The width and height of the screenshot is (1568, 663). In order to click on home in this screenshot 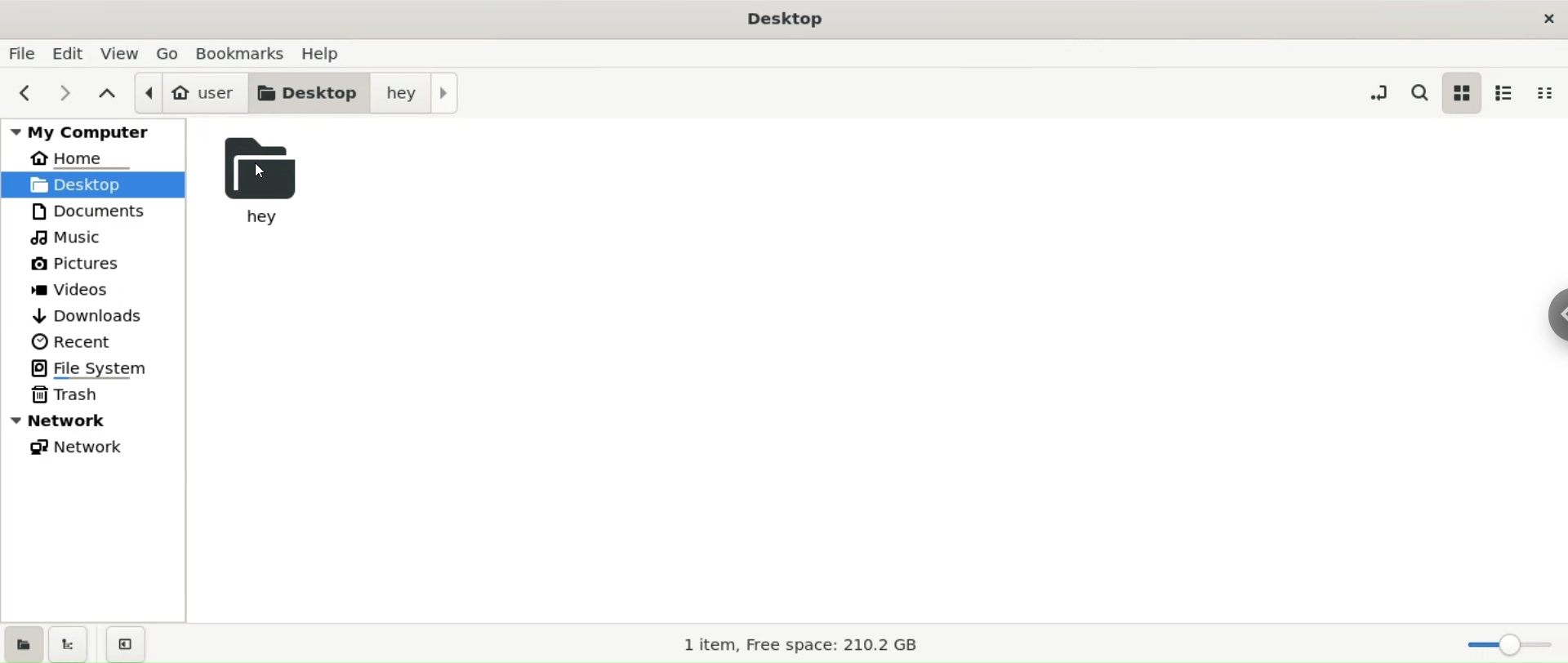, I will do `click(94, 159)`.